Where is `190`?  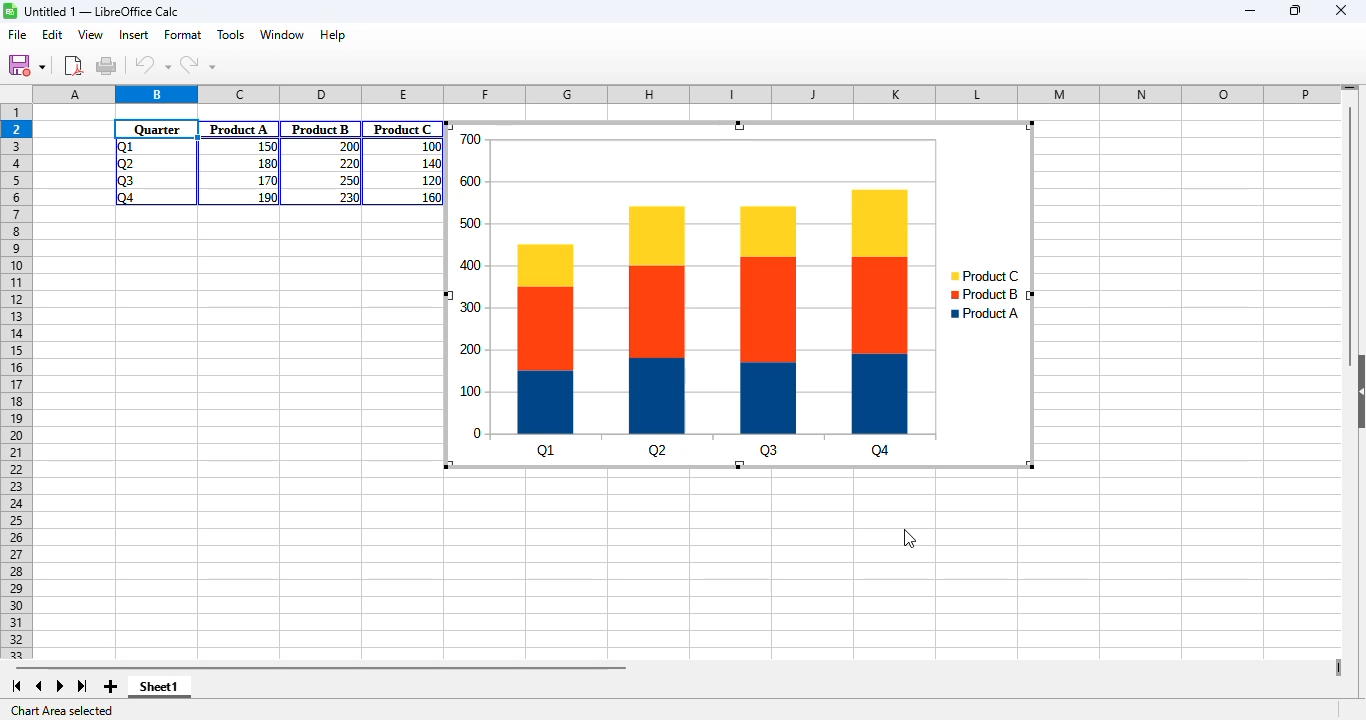 190 is located at coordinates (267, 197).